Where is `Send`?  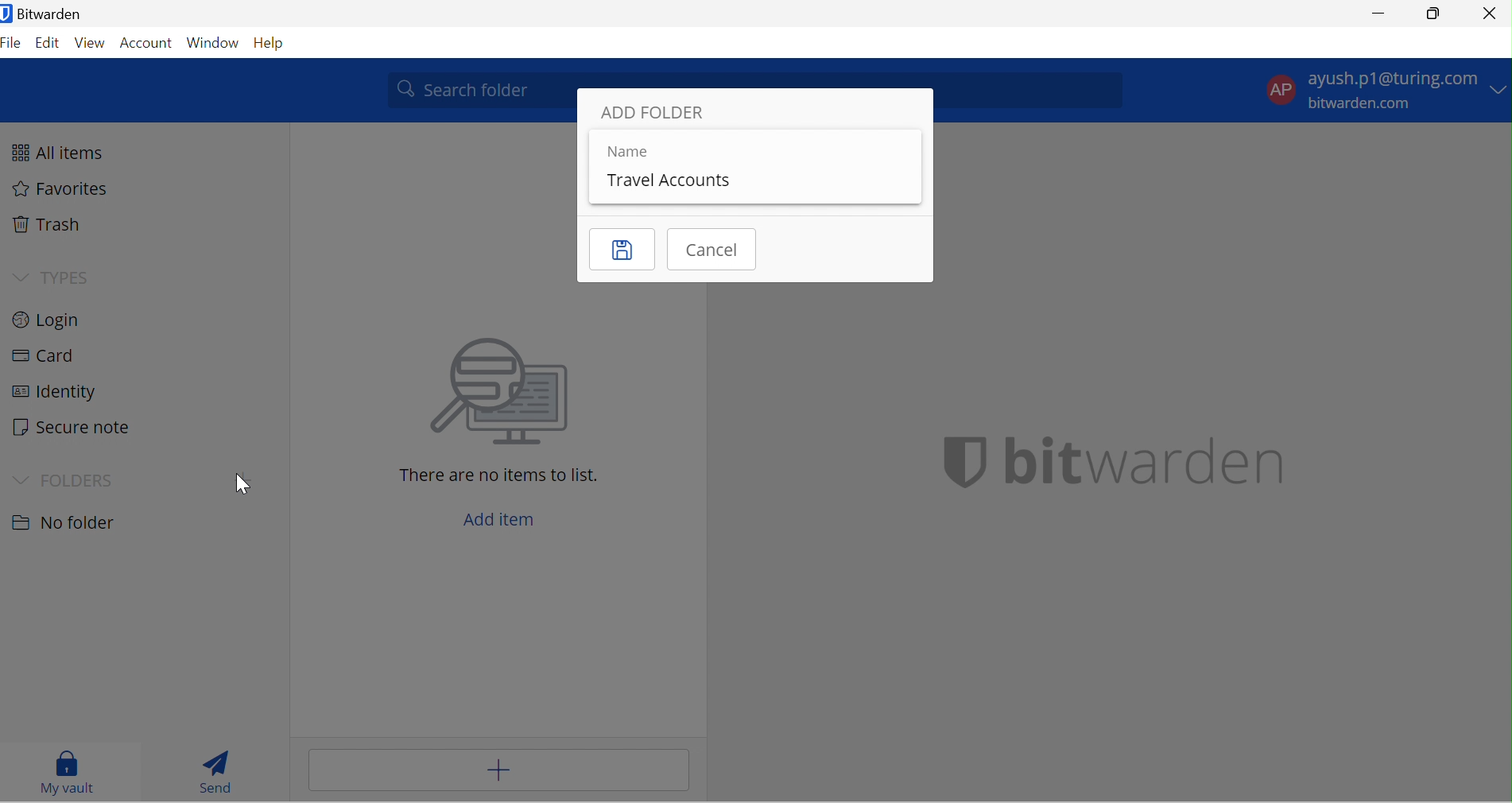
Send is located at coordinates (215, 767).